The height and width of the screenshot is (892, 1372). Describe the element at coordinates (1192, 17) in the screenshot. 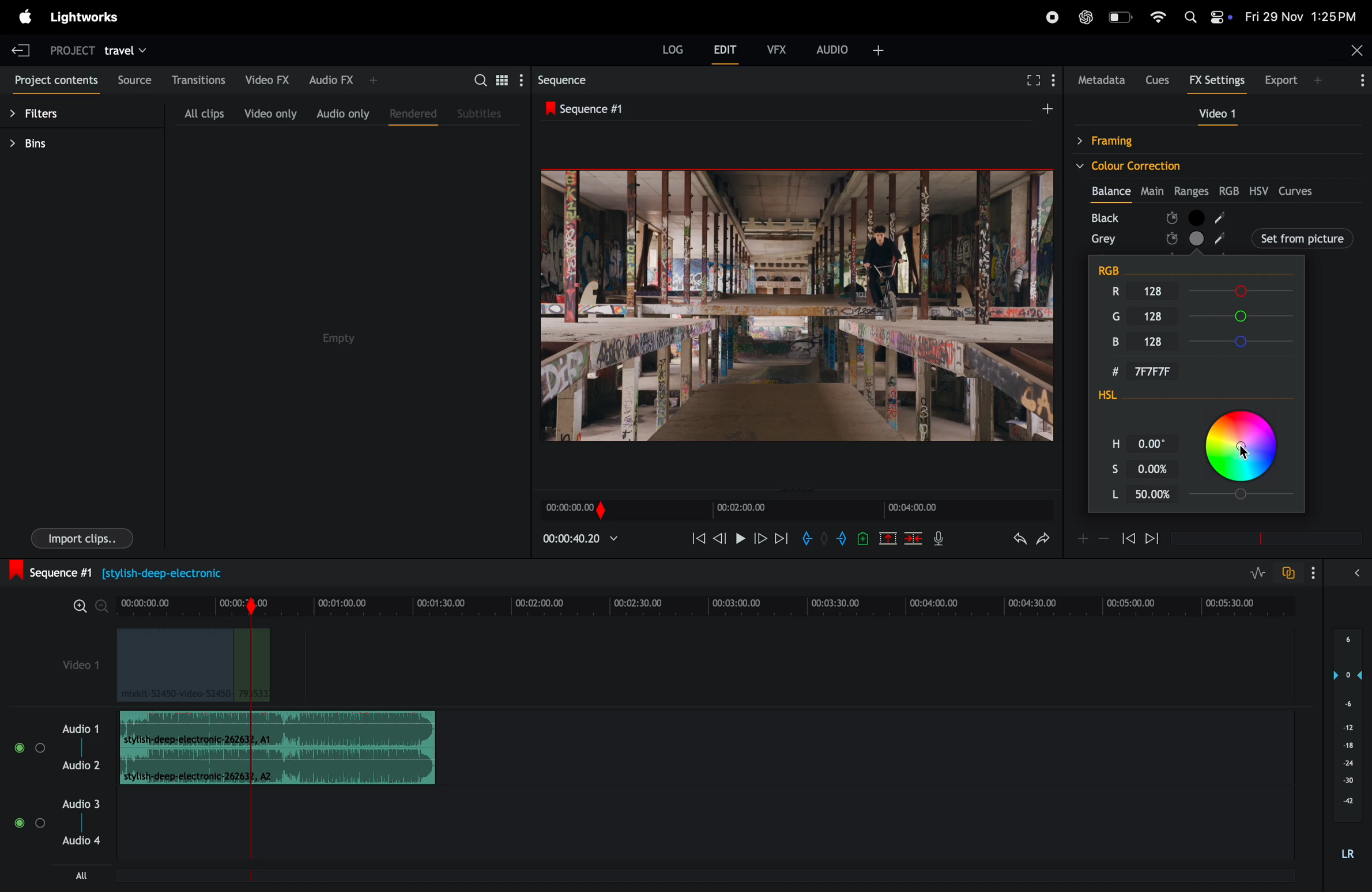

I see `Spotlight` at that location.